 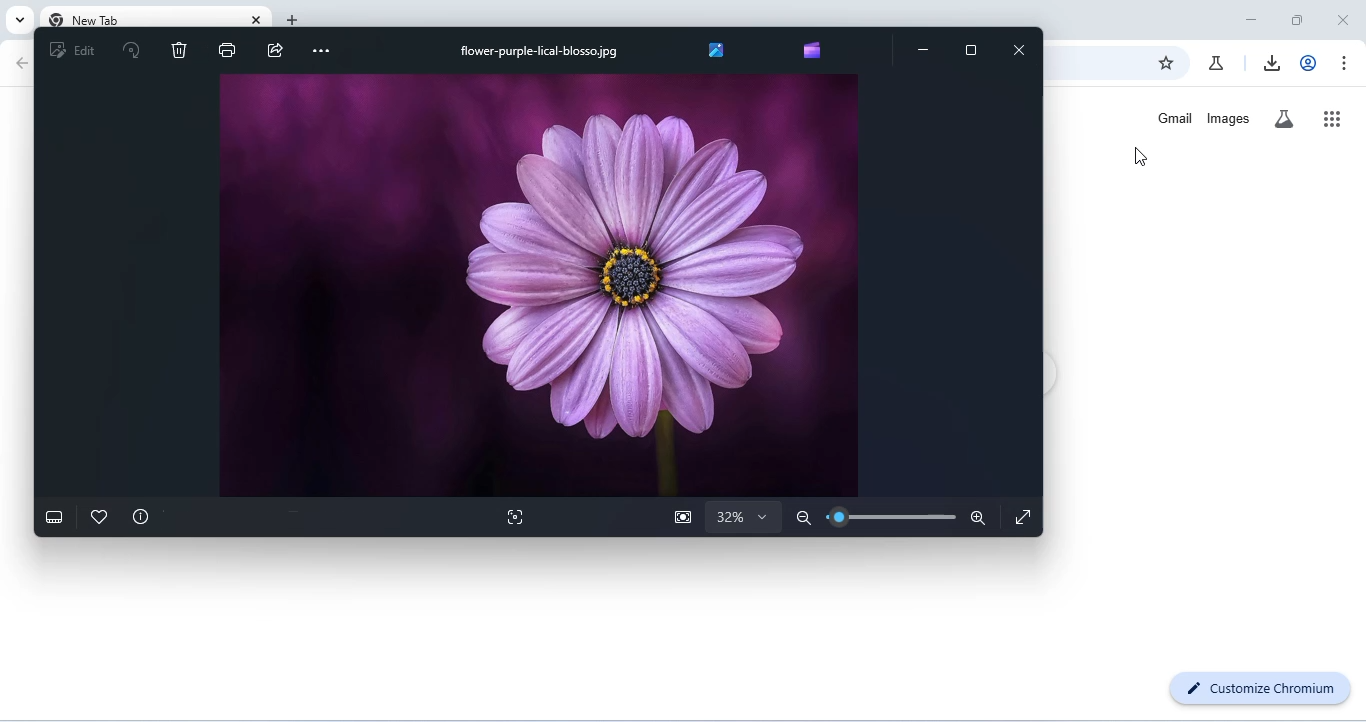 I want to click on images, so click(x=1228, y=119).